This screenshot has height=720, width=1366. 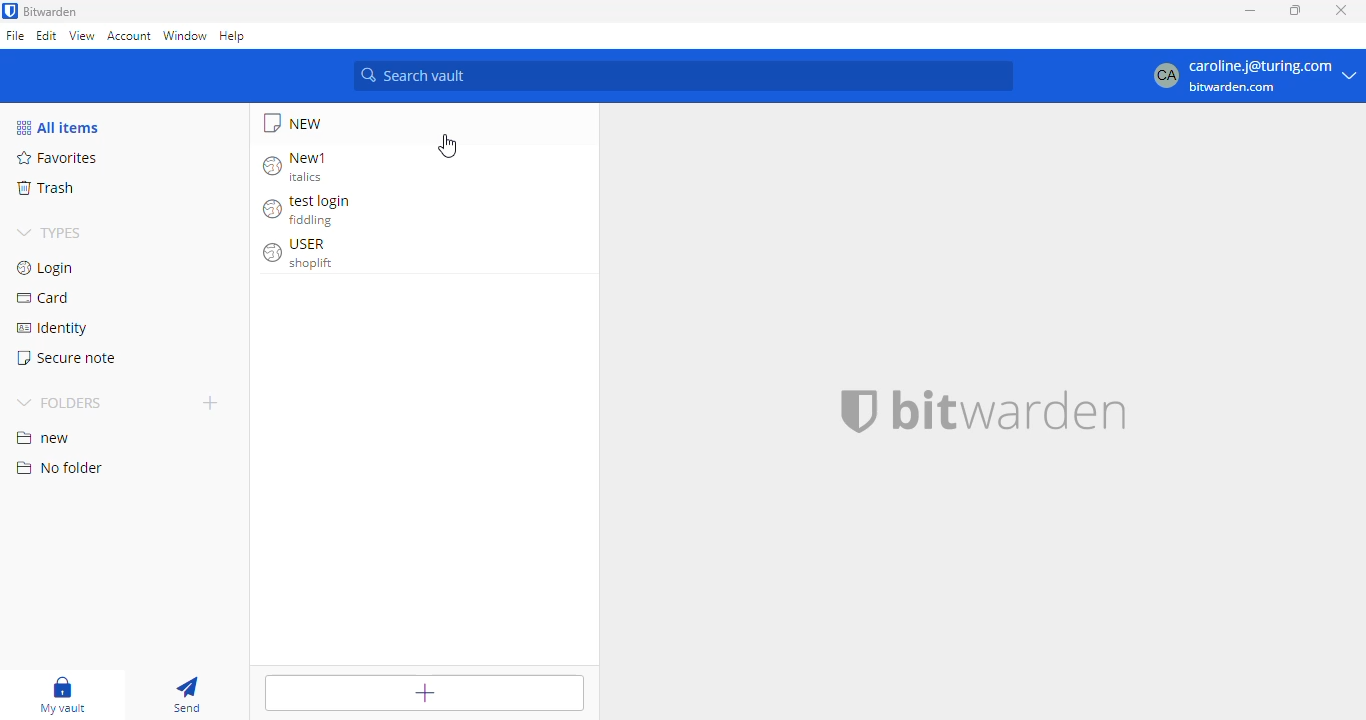 I want to click on favorites, so click(x=61, y=157).